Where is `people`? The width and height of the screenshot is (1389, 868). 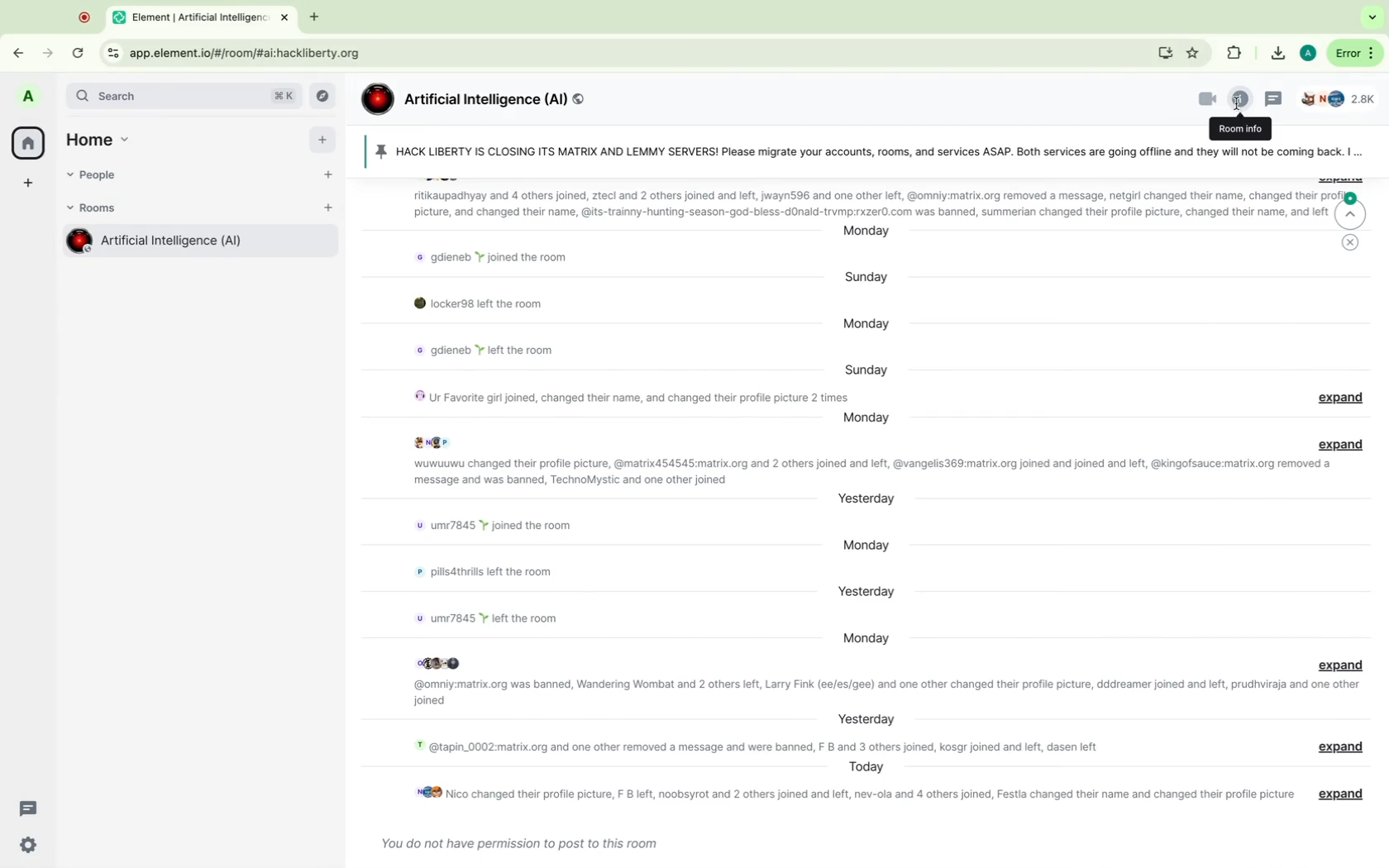 people is located at coordinates (1344, 100).